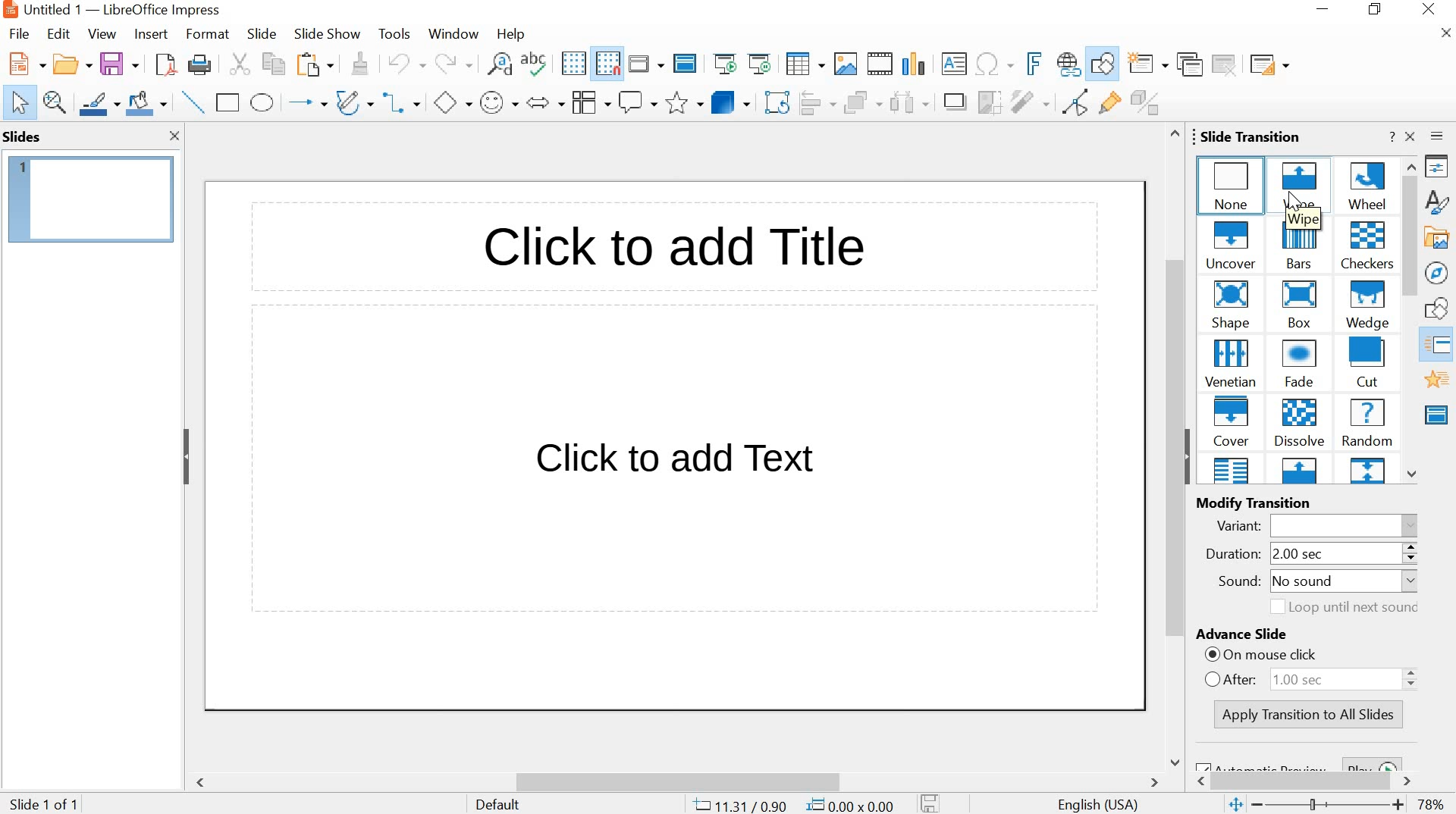  What do you see at coordinates (1389, 136) in the screenshot?
I see `help` at bounding box center [1389, 136].